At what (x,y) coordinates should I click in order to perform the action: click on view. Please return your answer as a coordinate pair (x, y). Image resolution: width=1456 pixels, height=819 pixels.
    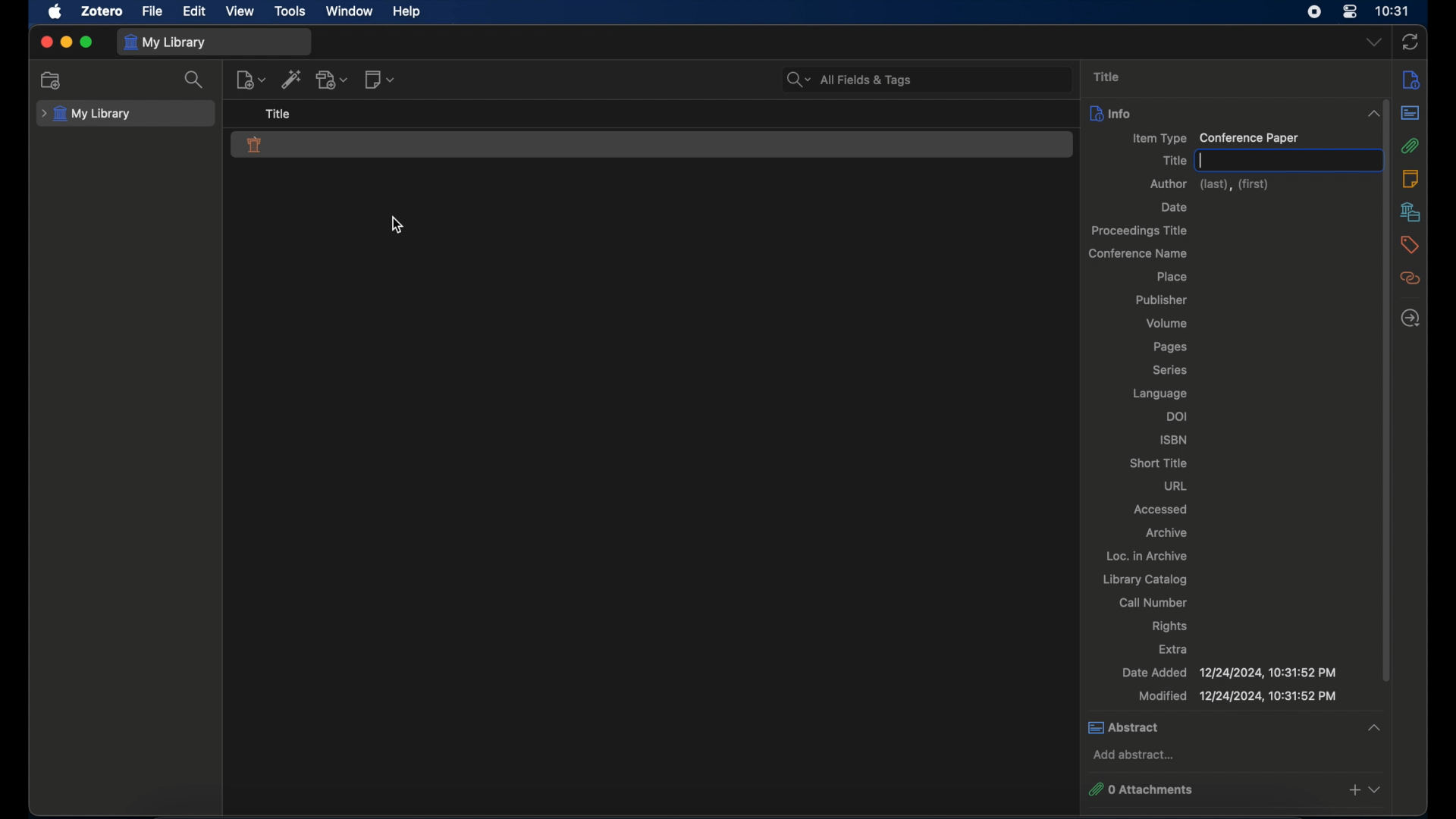
    Looking at the image, I should click on (240, 11).